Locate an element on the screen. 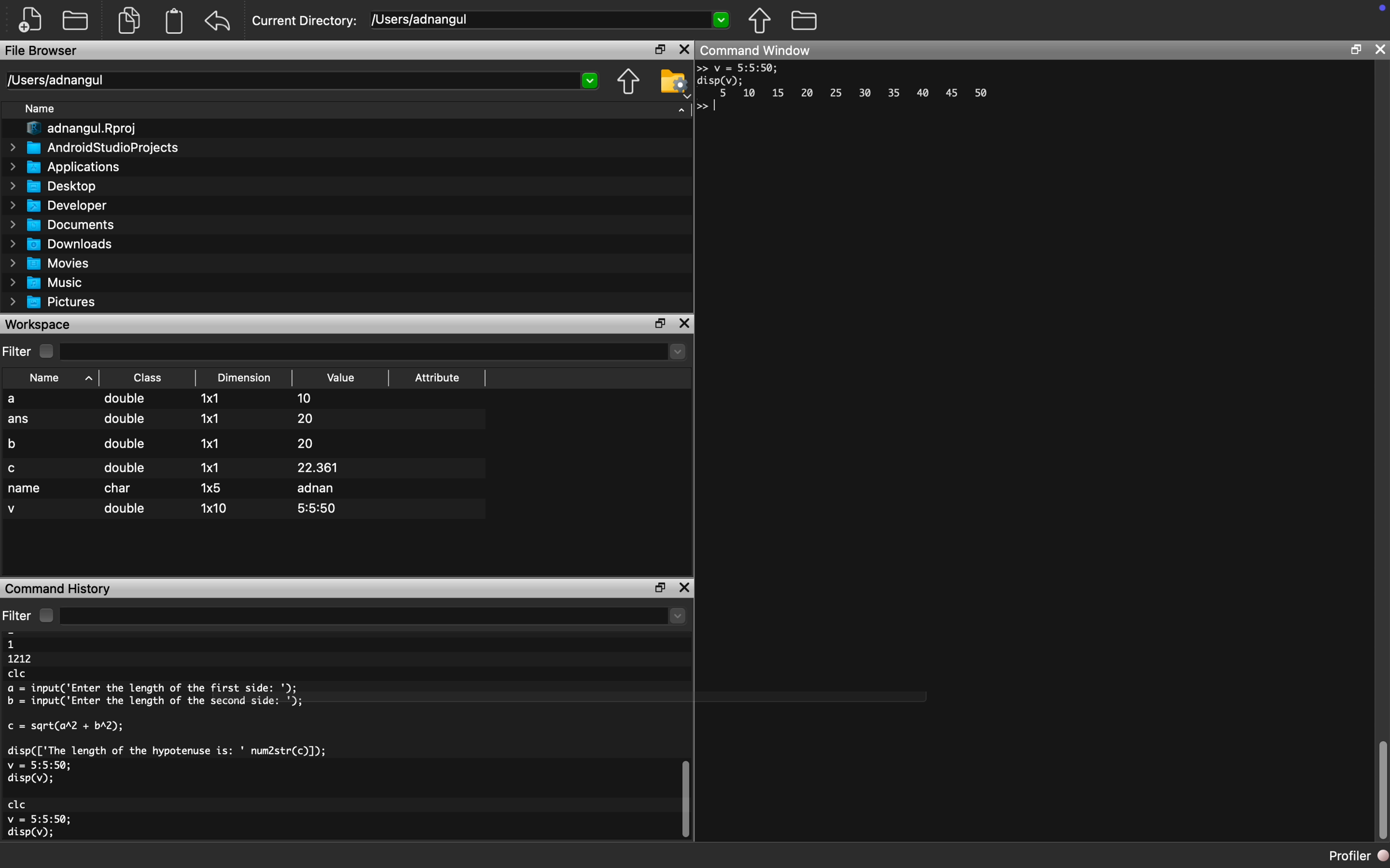 This screenshot has height=868, width=1390. Attribute is located at coordinates (436, 377).